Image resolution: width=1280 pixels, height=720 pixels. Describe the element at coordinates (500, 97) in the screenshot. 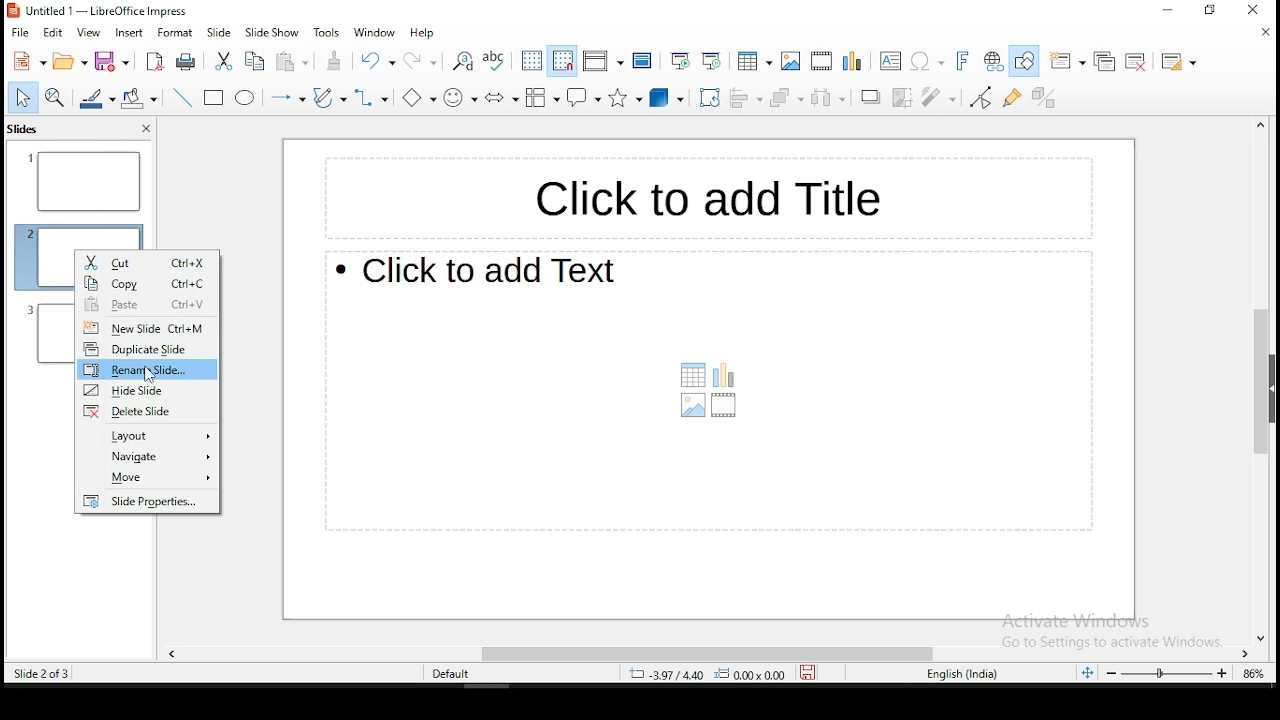

I see `block arrows` at that location.